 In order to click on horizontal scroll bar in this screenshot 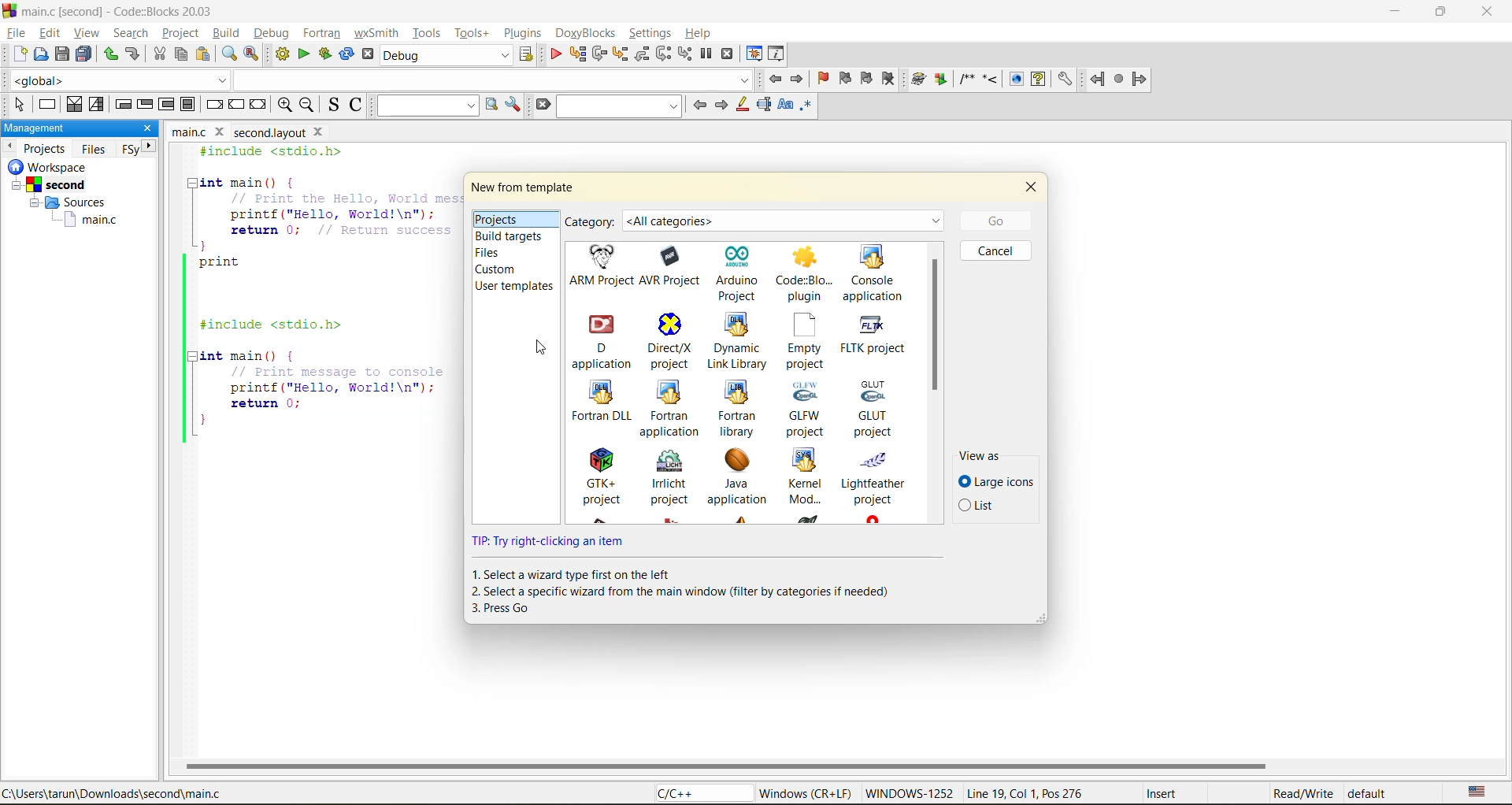, I will do `click(726, 766)`.